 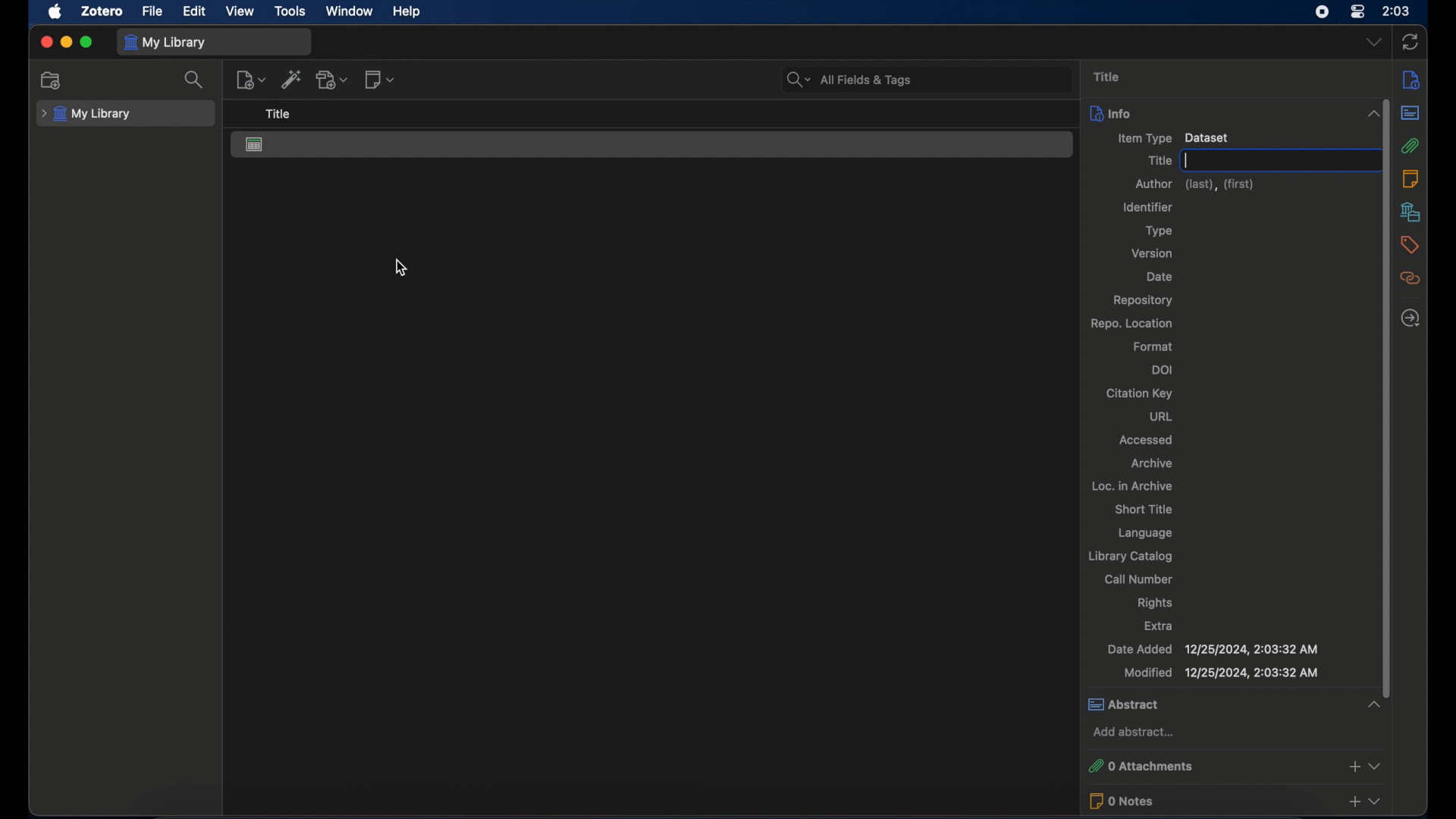 I want to click on apple, so click(x=55, y=12).